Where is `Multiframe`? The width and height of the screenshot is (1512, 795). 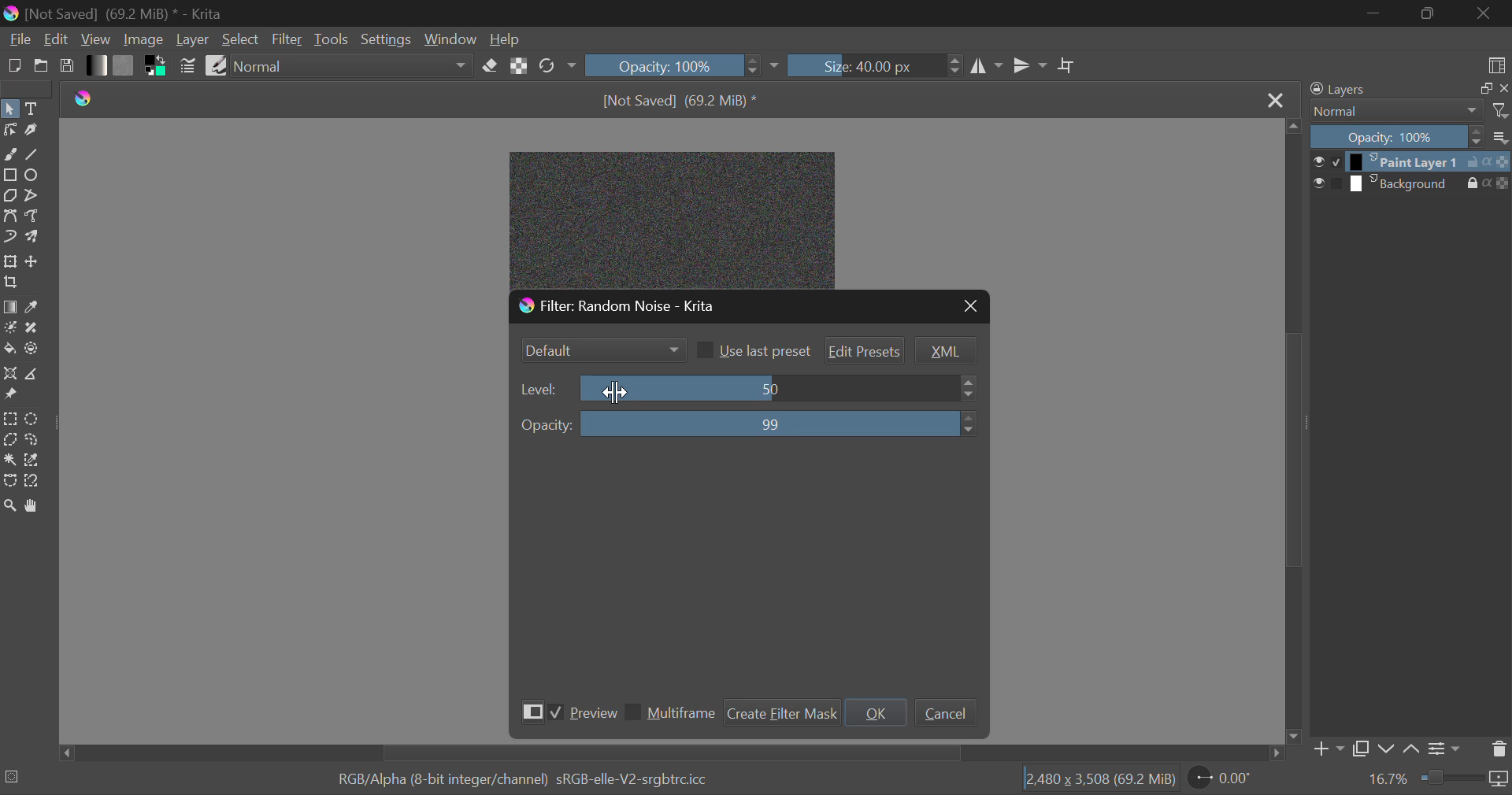 Multiframe is located at coordinates (670, 715).